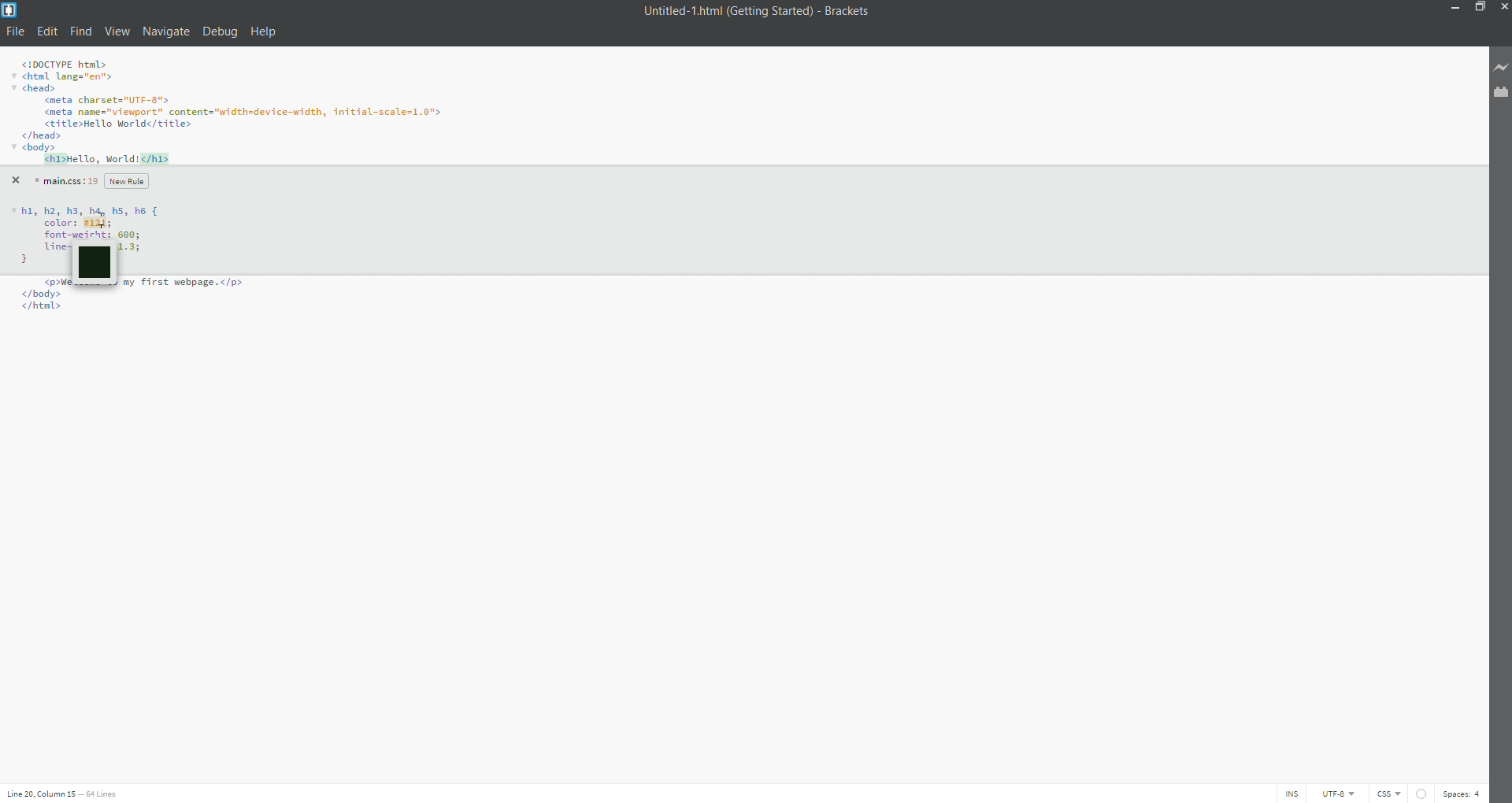 Image resolution: width=1512 pixels, height=803 pixels. I want to click on spaces, so click(1463, 792).